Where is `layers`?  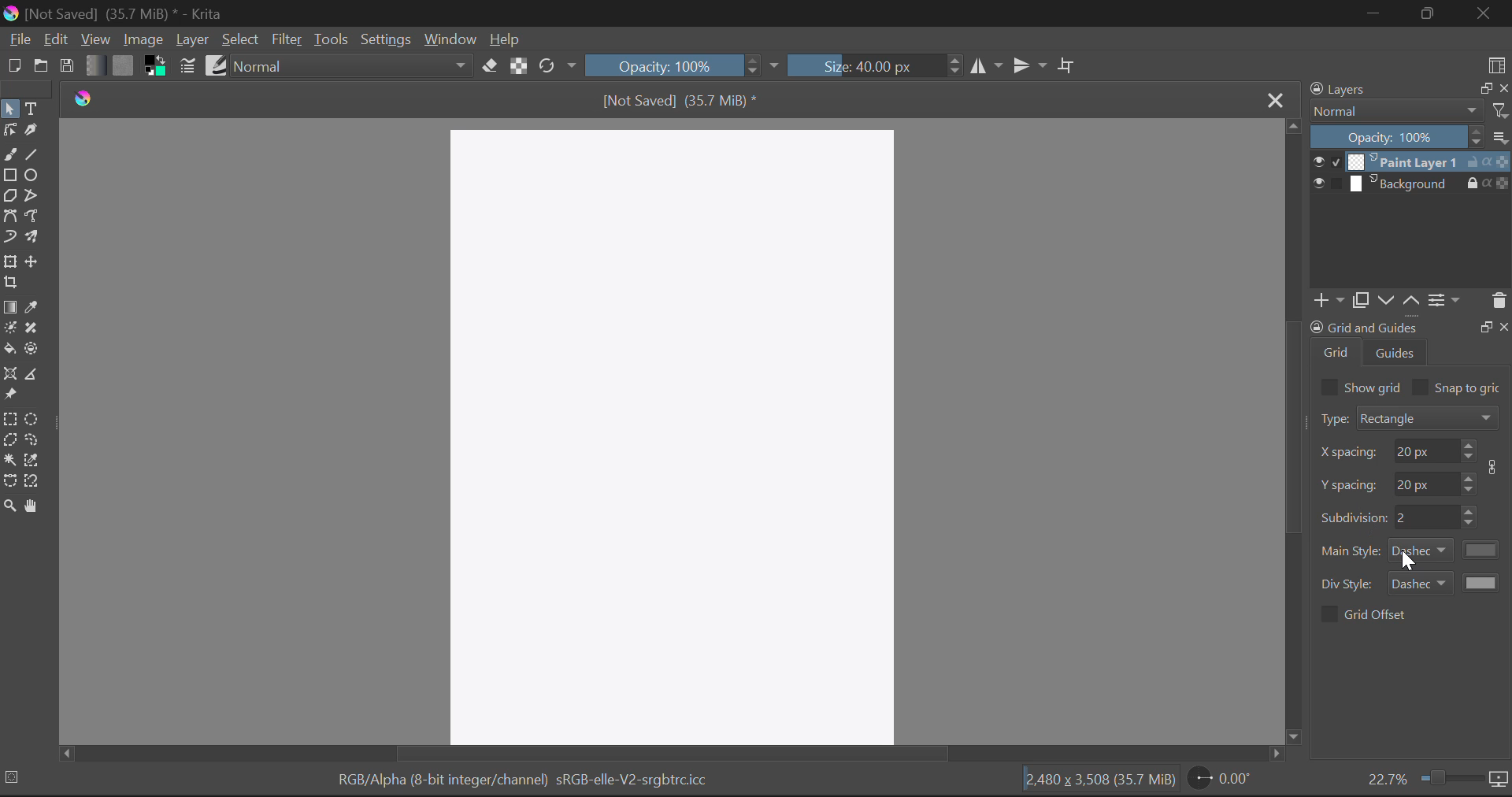 layers is located at coordinates (1341, 89).